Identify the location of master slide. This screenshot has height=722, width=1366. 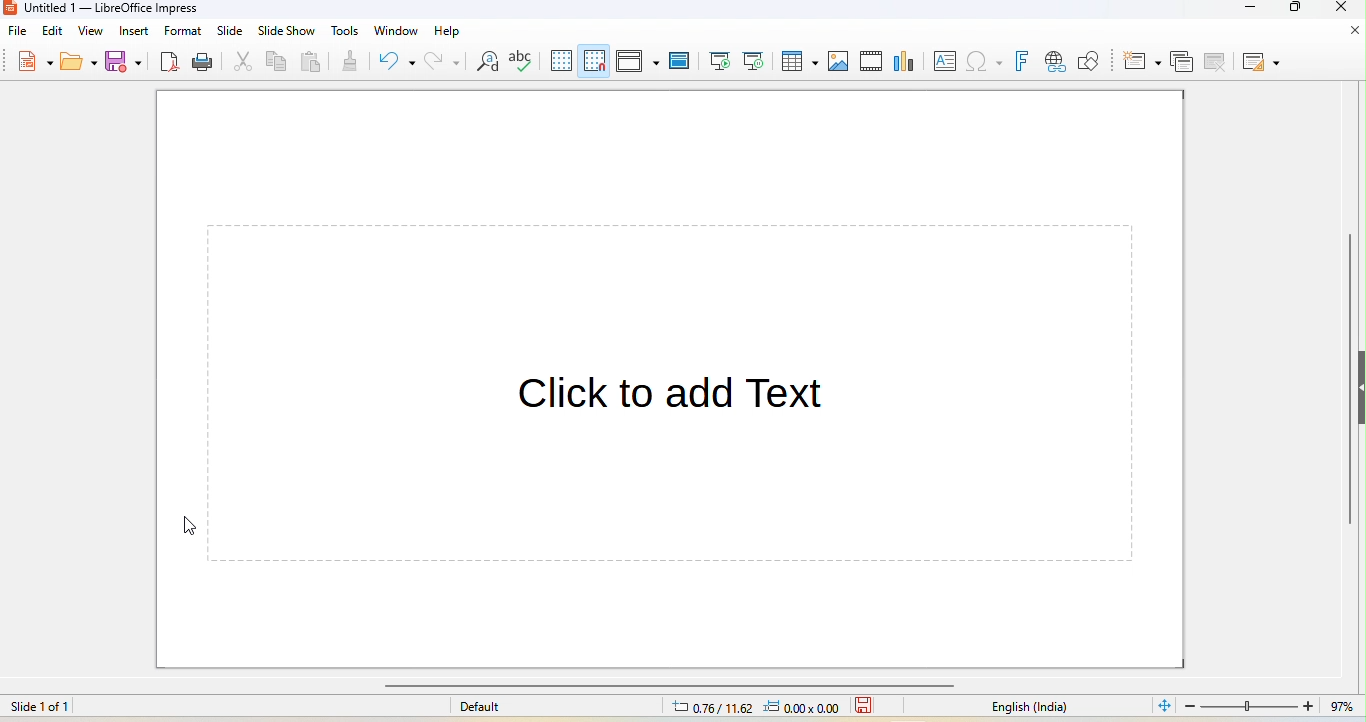
(680, 60).